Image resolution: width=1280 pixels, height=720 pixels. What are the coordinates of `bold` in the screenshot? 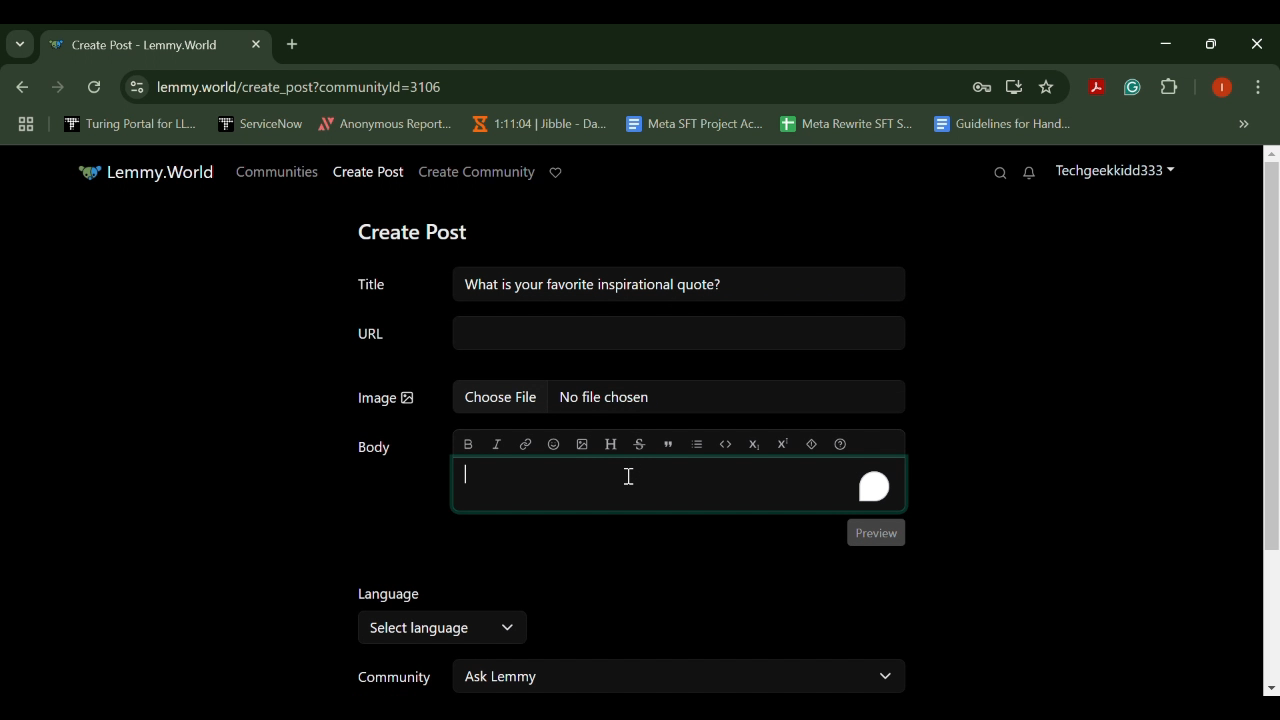 It's located at (469, 444).